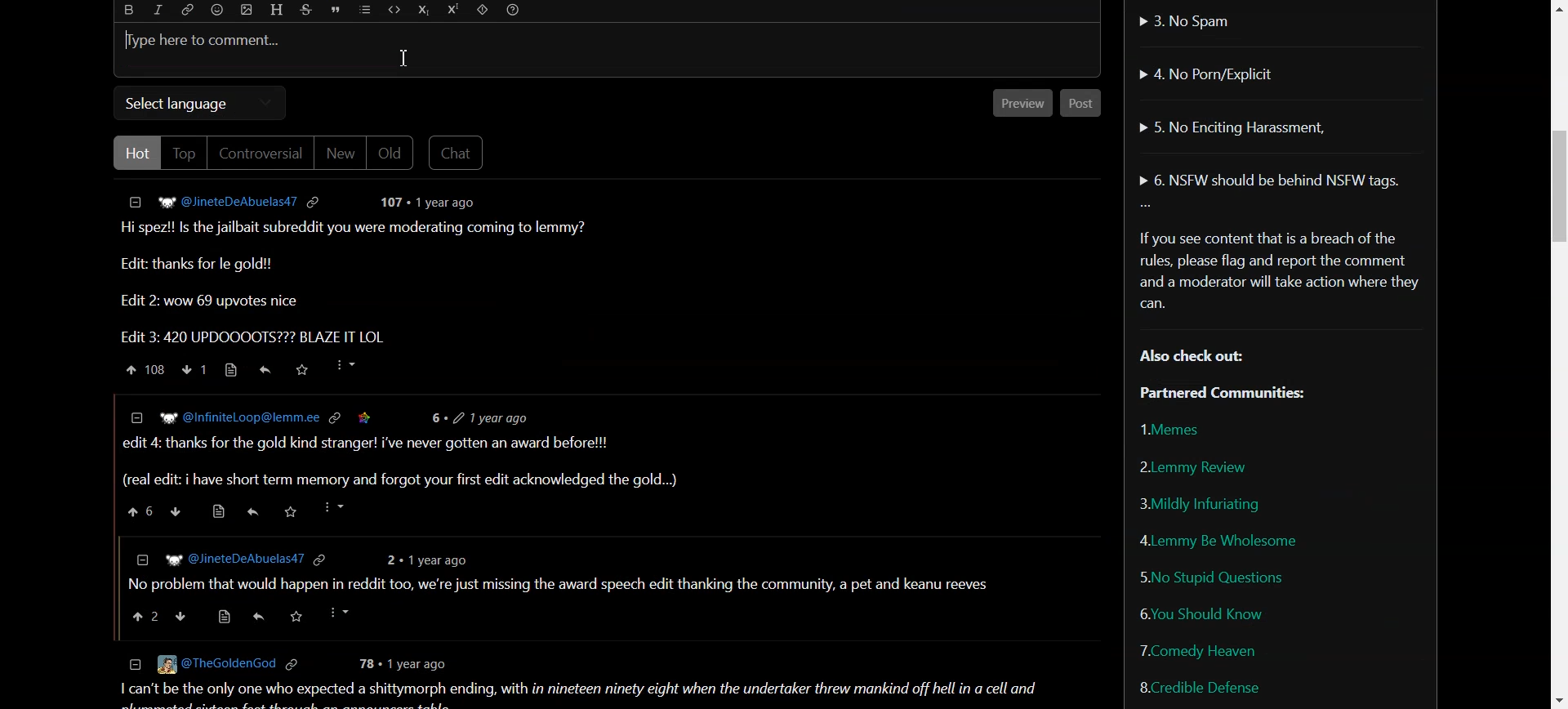 The image size is (1568, 709). What do you see at coordinates (1175, 429) in the screenshot?
I see `Memes` at bounding box center [1175, 429].